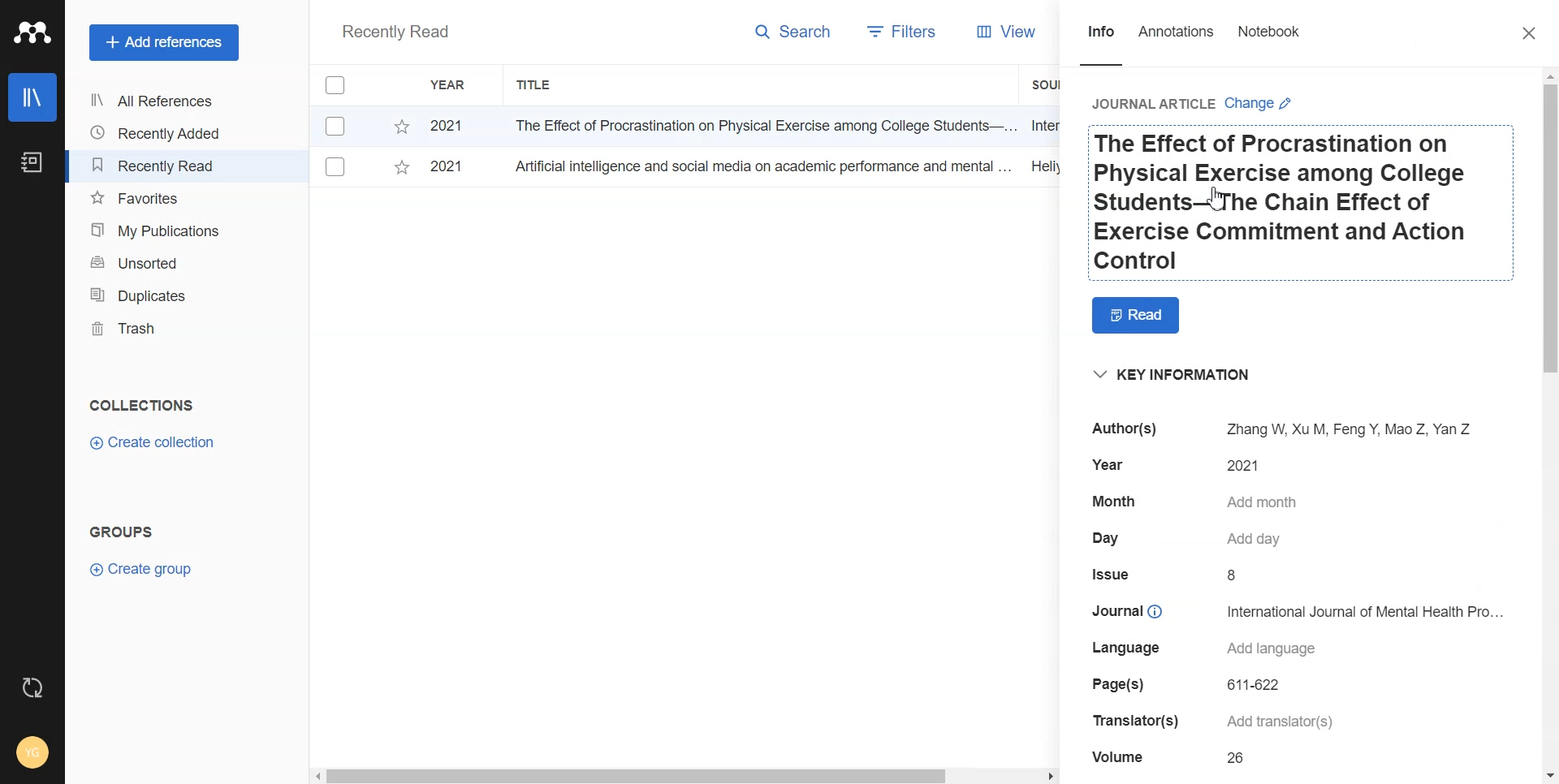  What do you see at coordinates (161, 230) in the screenshot?
I see `My Publication` at bounding box center [161, 230].